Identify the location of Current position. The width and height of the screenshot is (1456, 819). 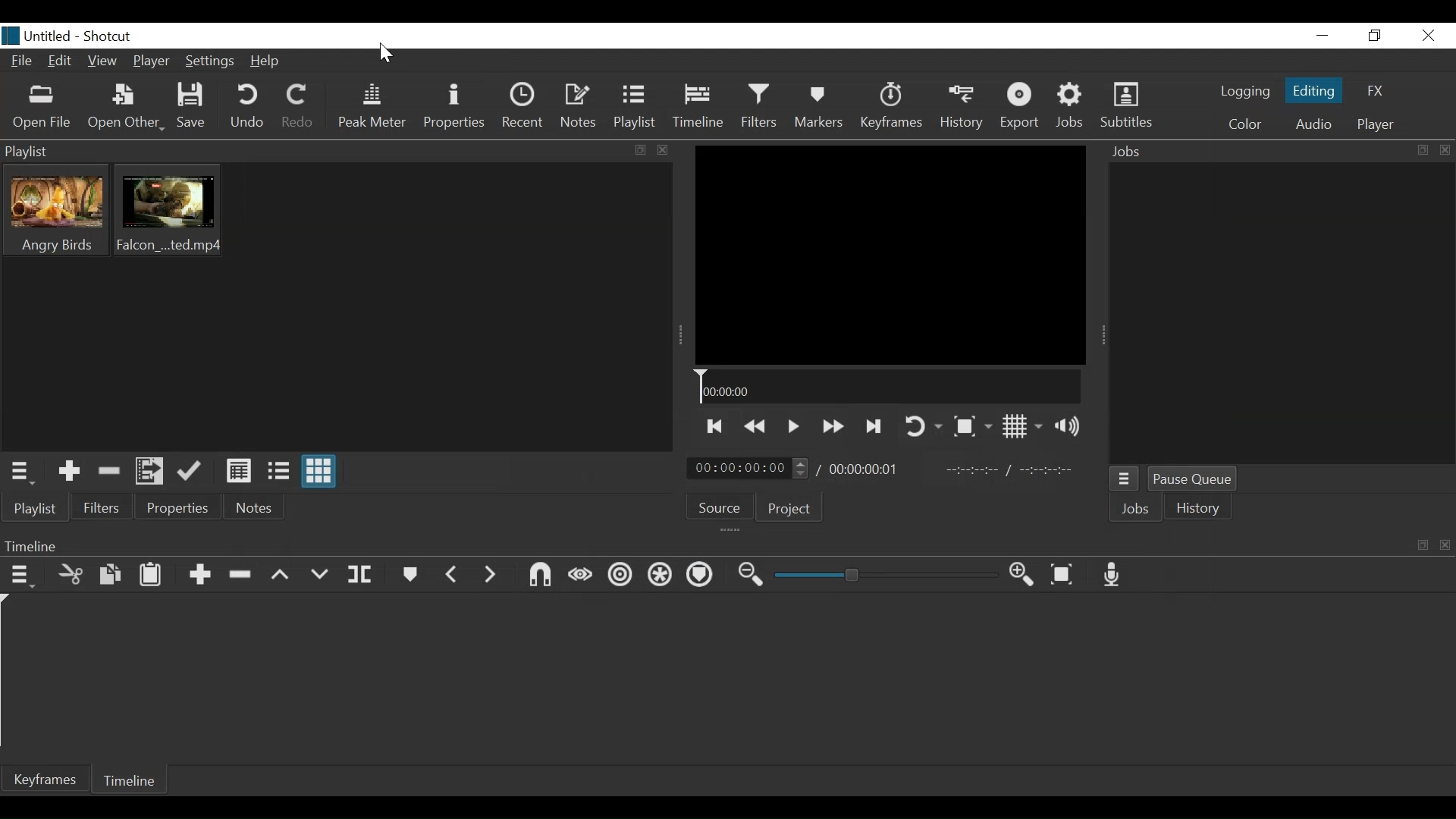
(752, 469).